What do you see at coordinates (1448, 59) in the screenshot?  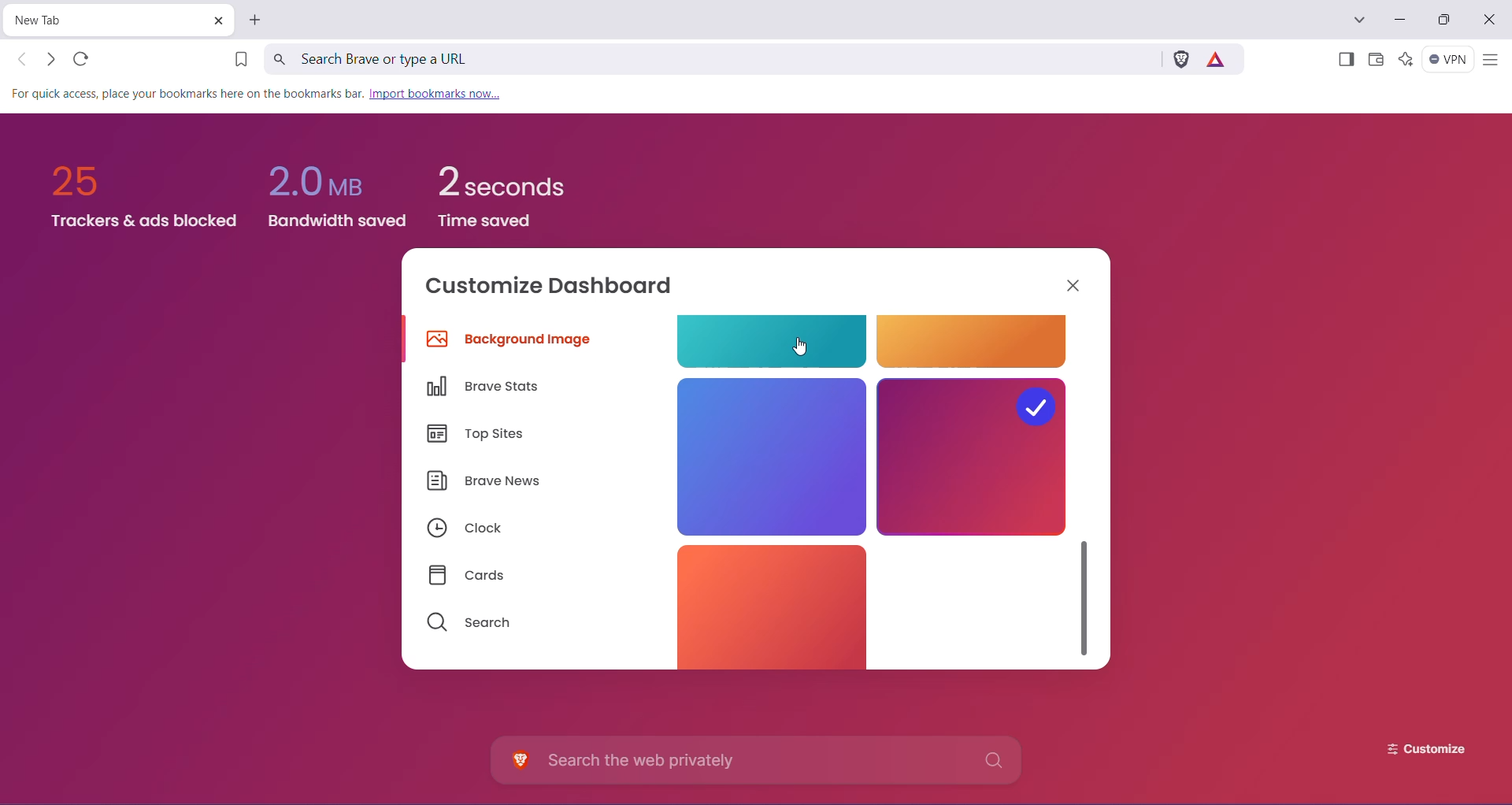 I see `Brave Firewall + VPN` at bounding box center [1448, 59].